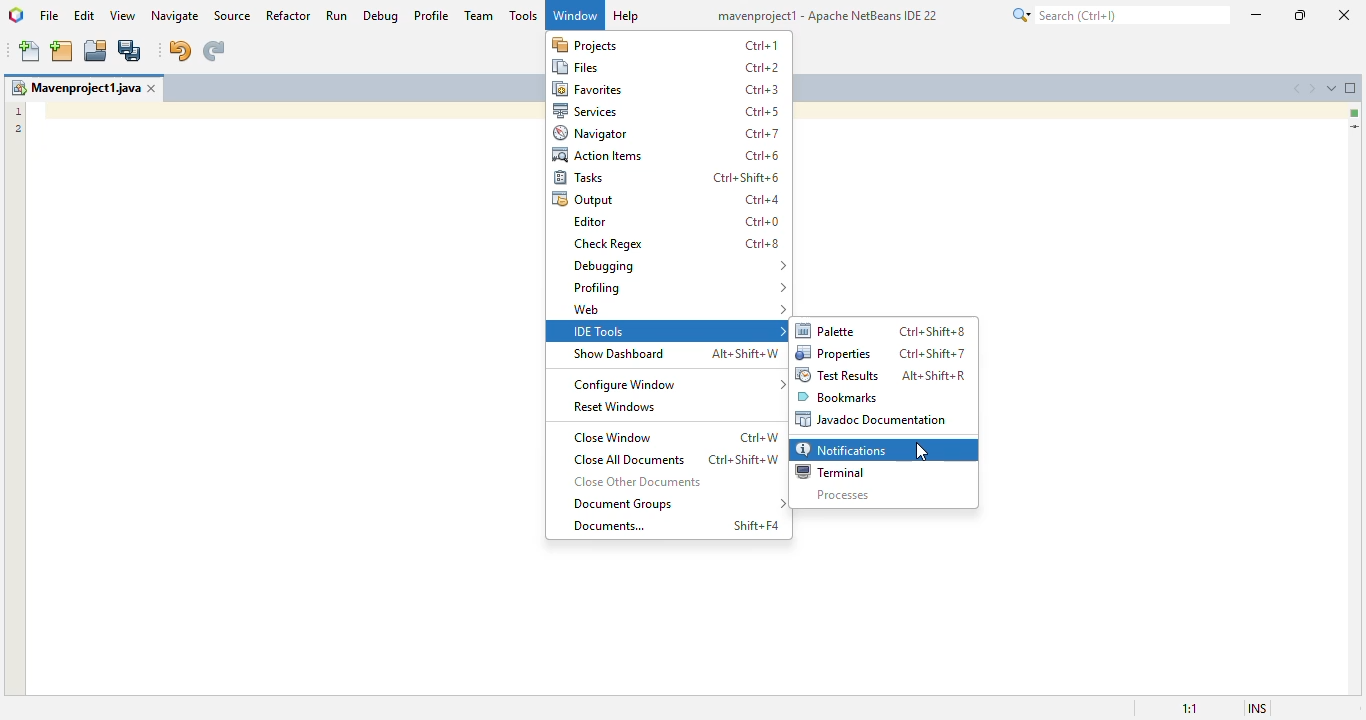 This screenshot has height=720, width=1366. What do you see at coordinates (830, 15) in the screenshot?
I see `mavenproject1 - Apache Netbeans IDE 23` at bounding box center [830, 15].